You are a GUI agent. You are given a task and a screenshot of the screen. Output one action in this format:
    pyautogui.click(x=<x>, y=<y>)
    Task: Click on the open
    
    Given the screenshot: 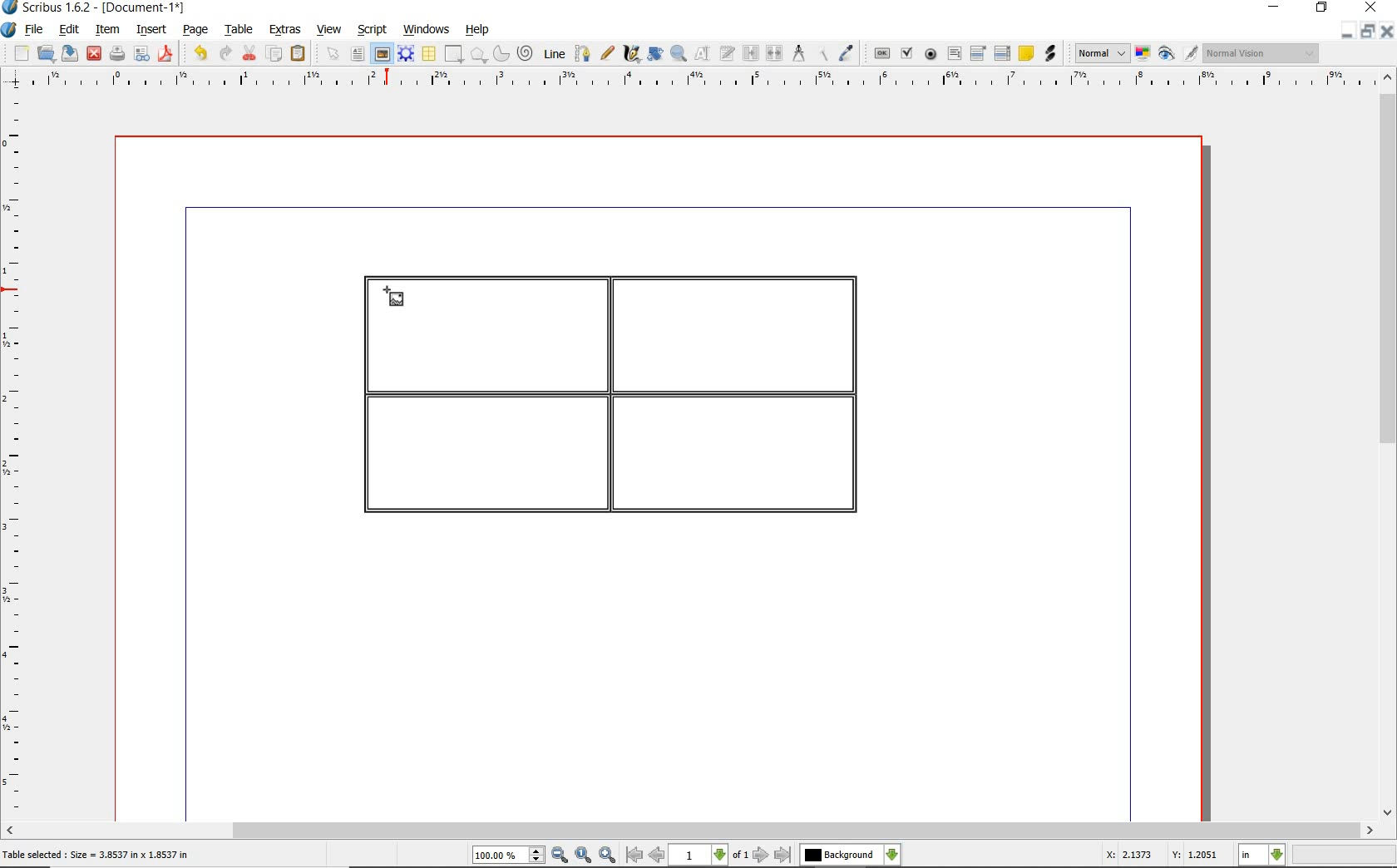 What is the action you would take?
    pyautogui.click(x=47, y=54)
    